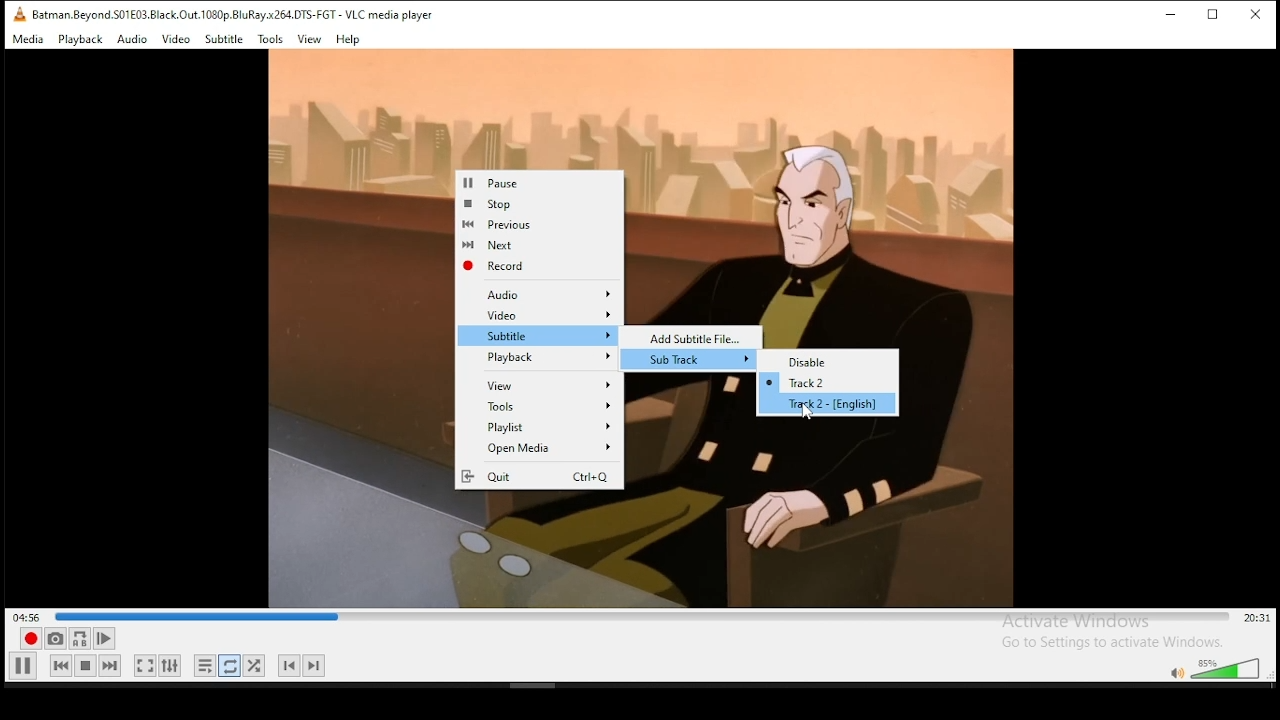 This screenshot has width=1280, height=720. What do you see at coordinates (643, 616) in the screenshot?
I see `progress bar` at bounding box center [643, 616].